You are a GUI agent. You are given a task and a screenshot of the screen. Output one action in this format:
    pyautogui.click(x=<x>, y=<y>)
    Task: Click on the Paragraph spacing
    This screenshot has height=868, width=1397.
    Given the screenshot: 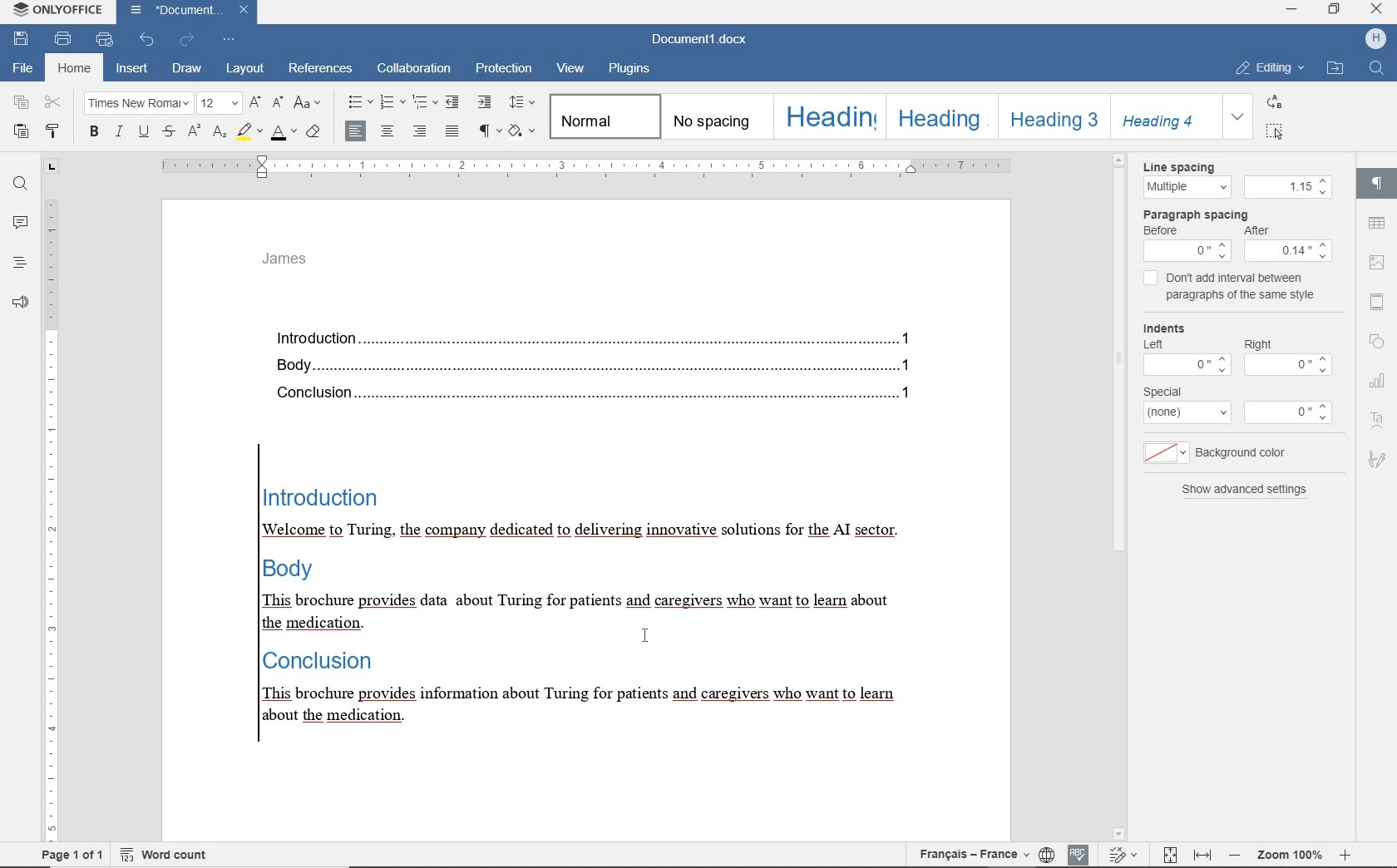 What is the action you would take?
    pyautogui.click(x=1204, y=214)
    